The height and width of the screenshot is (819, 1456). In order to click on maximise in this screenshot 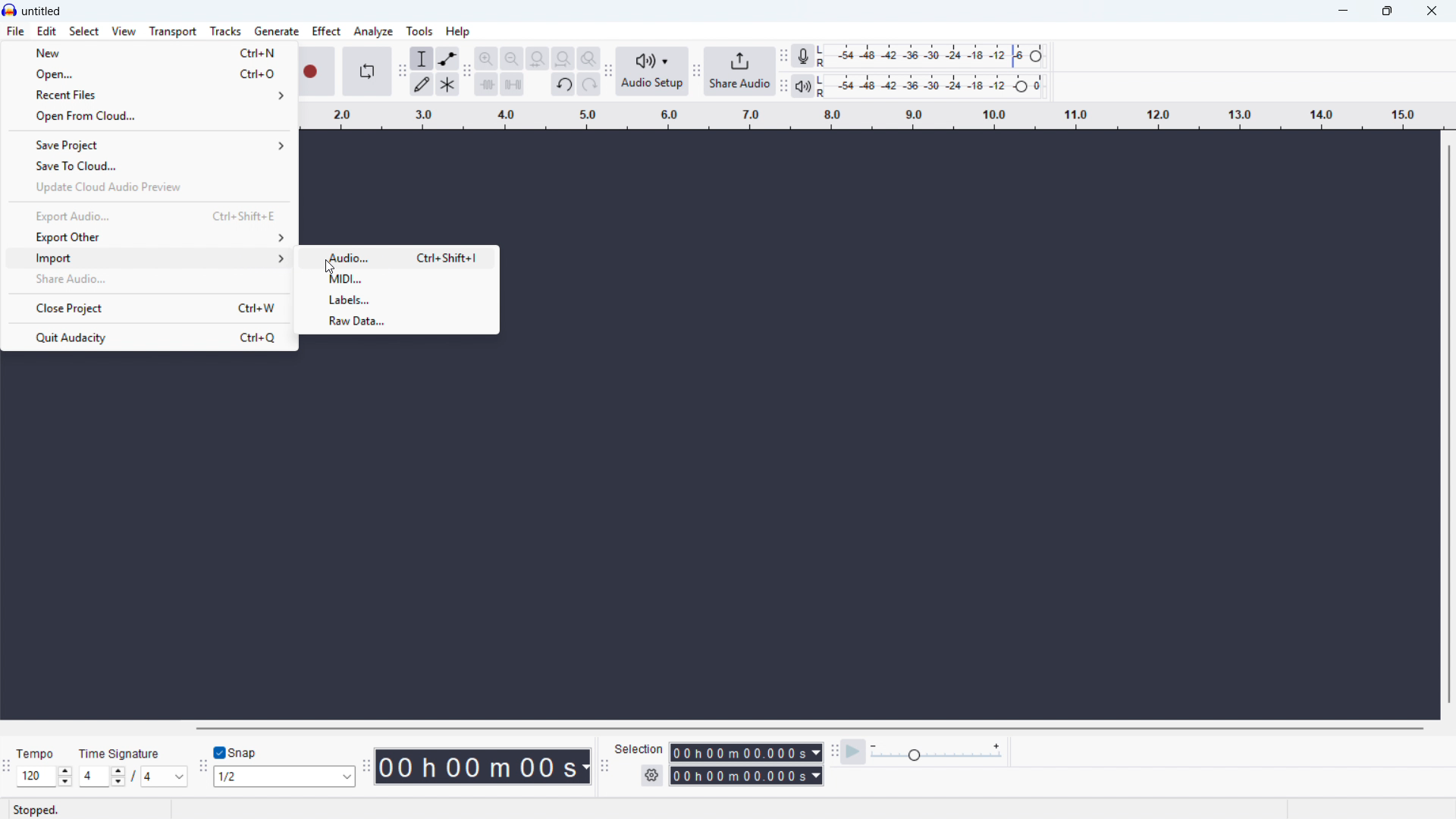, I will do `click(1389, 11)`.